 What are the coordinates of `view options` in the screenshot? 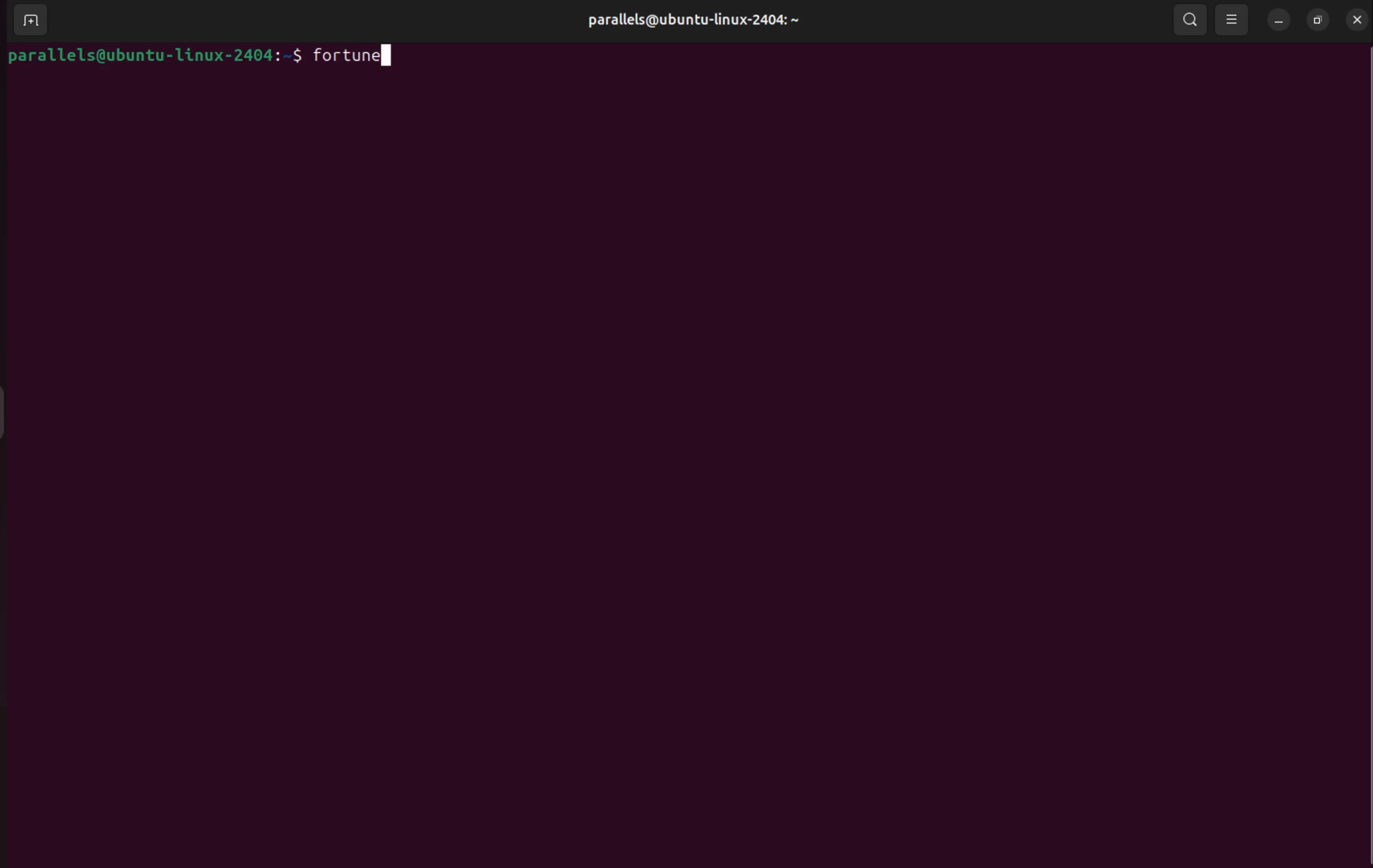 It's located at (1233, 19).